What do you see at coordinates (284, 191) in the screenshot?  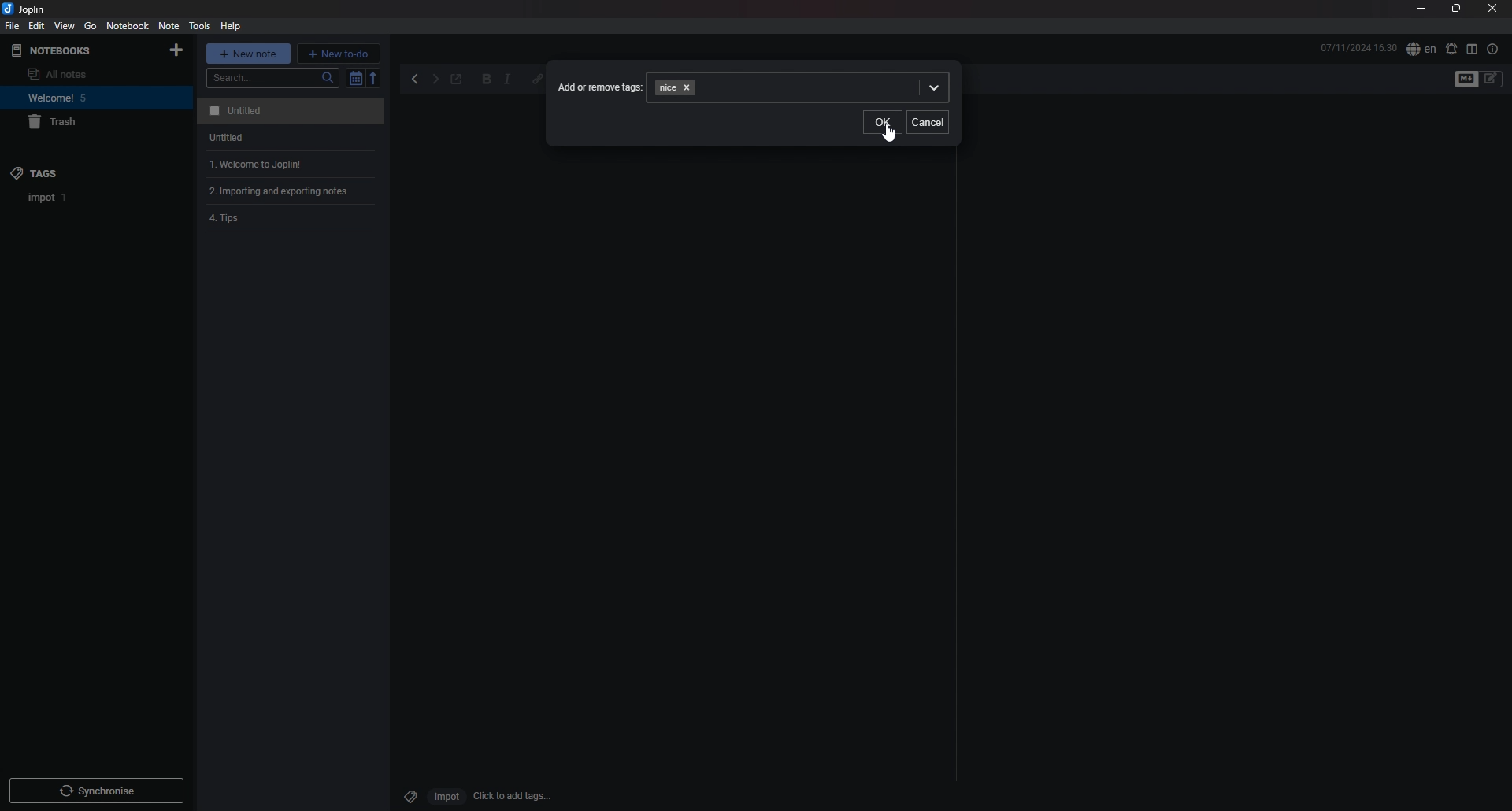 I see `2. Importing` at bounding box center [284, 191].